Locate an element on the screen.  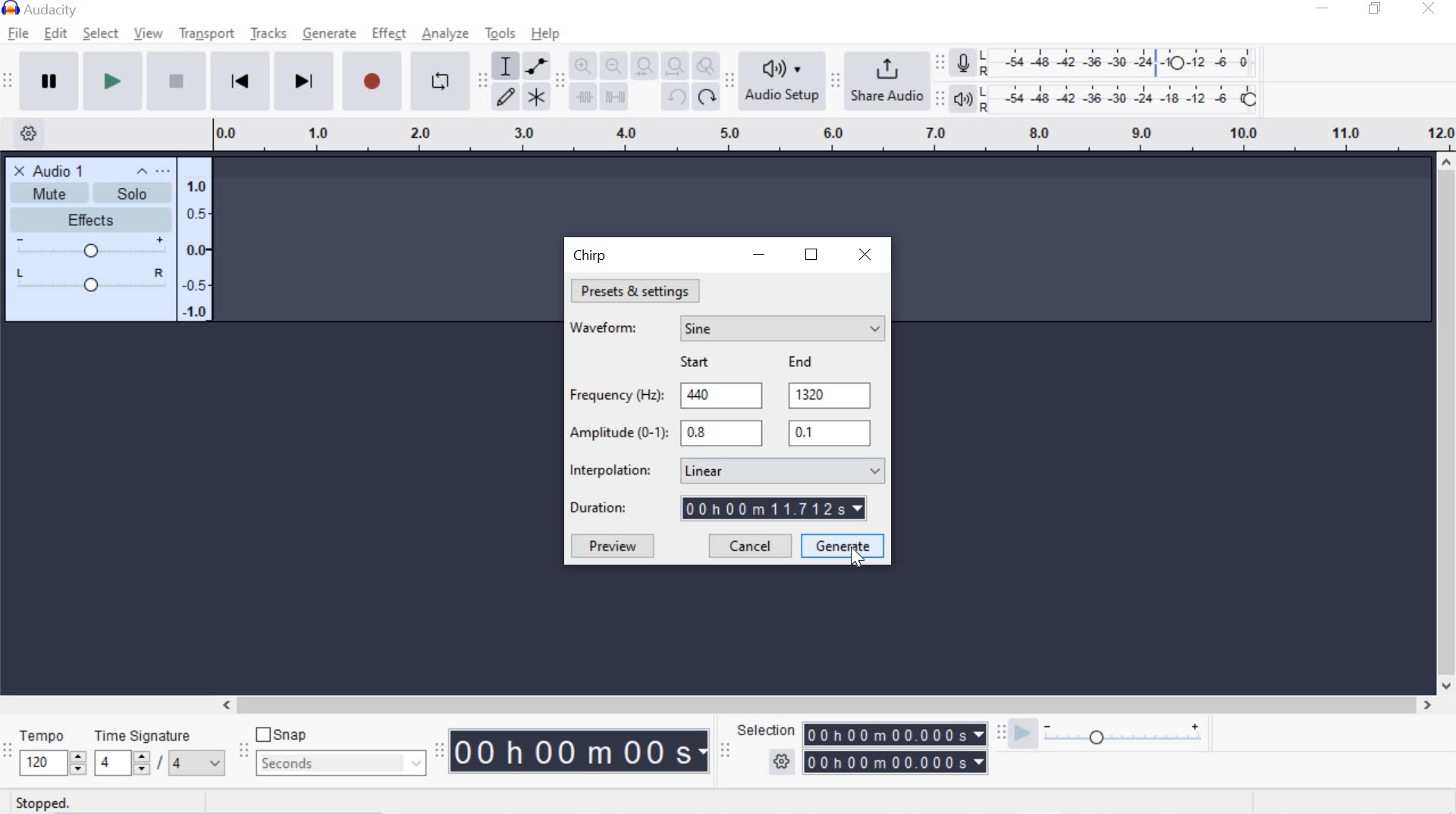
time audio outside selection is located at coordinates (585, 98).